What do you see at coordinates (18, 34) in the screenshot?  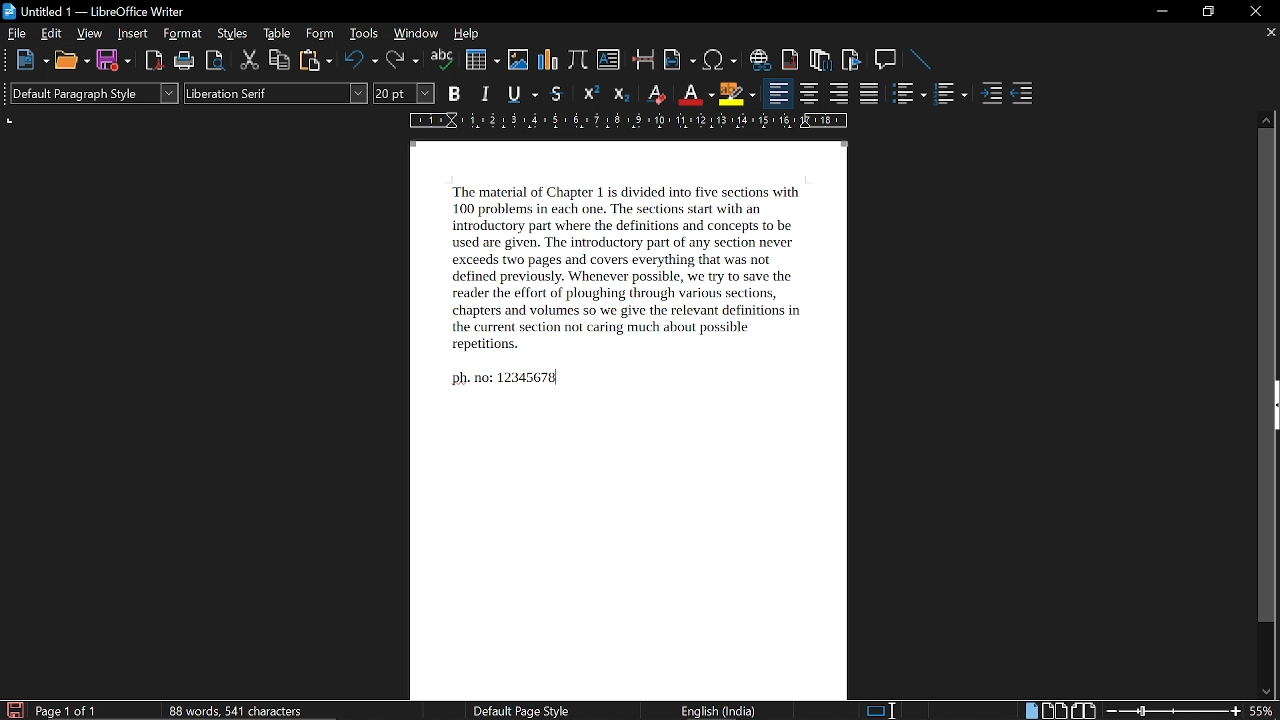 I see `file` at bounding box center [18, 34].